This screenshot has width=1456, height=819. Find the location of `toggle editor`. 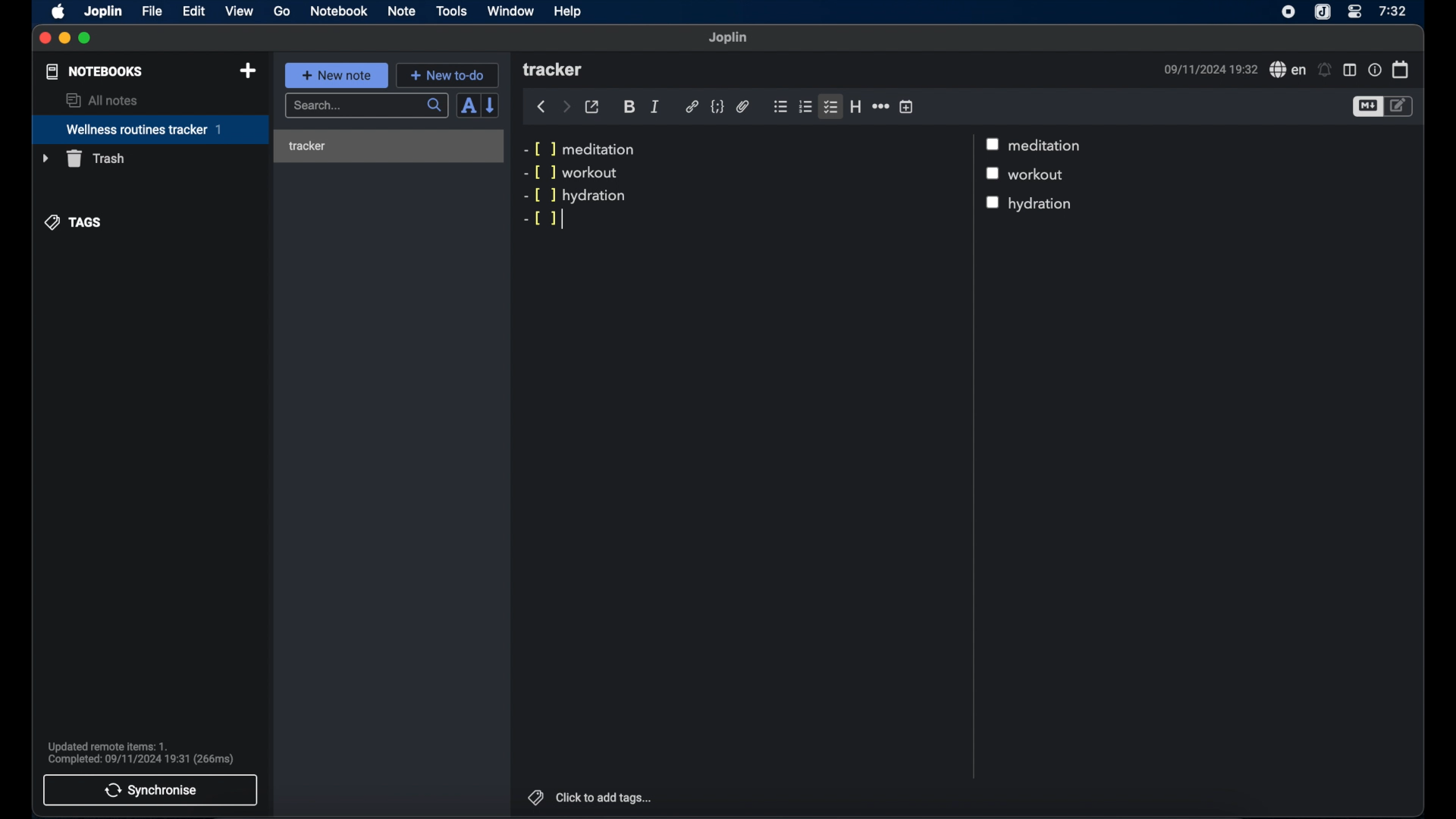

toggle editor is located at coordinates (1367, 106).